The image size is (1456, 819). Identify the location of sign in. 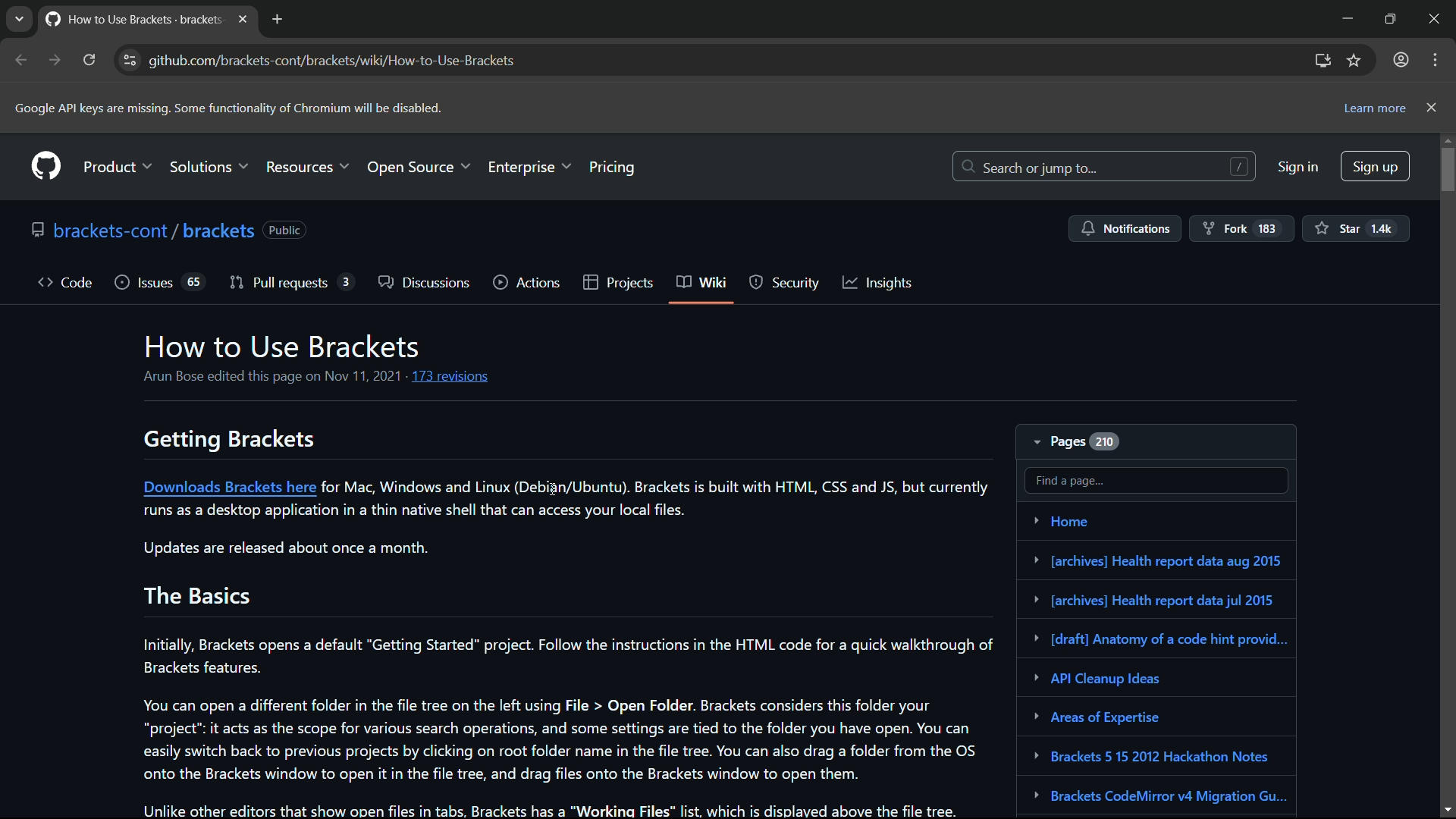
(1299, 168).